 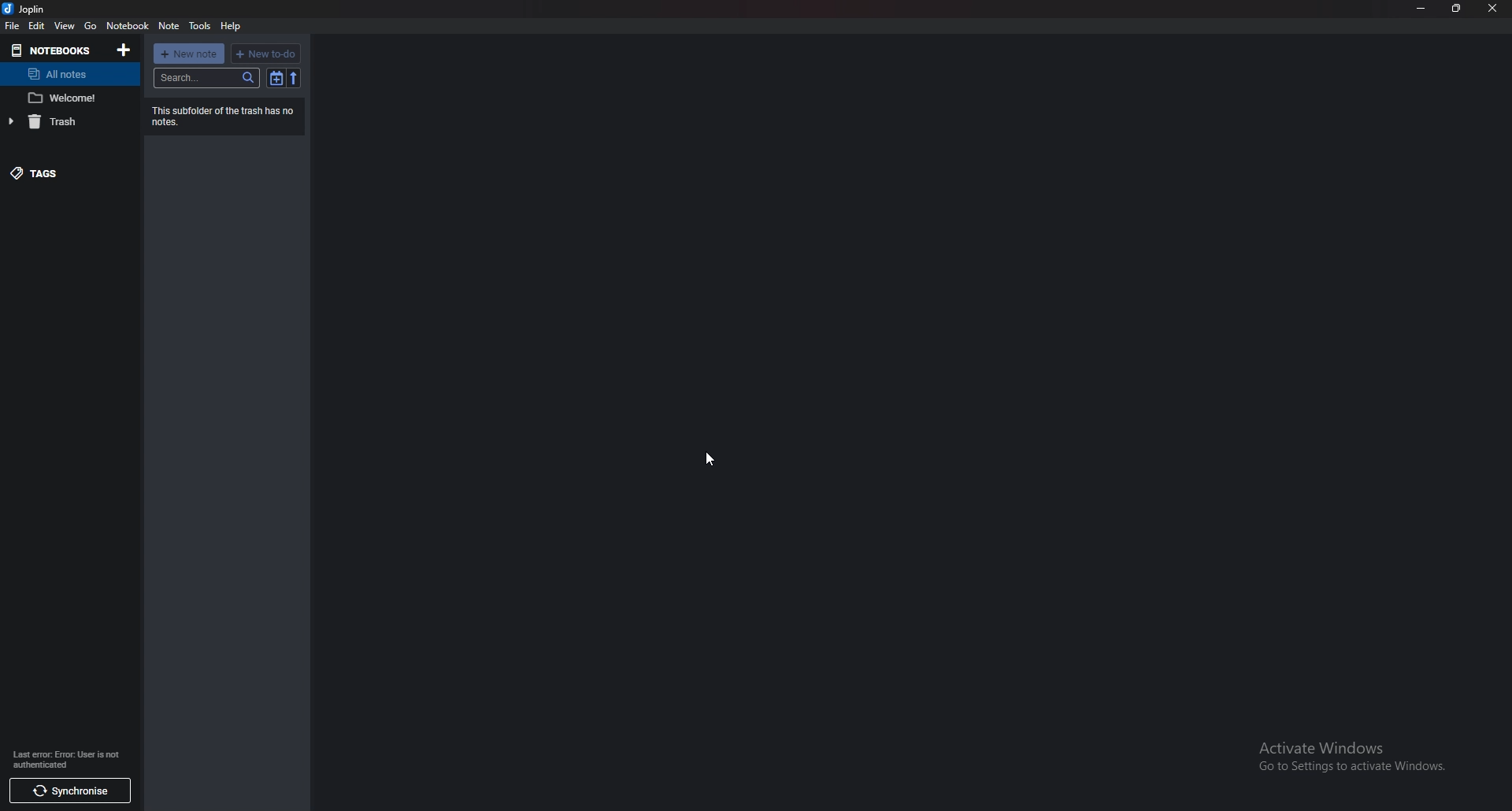 I want to click on note, so click(x=70, y=97).